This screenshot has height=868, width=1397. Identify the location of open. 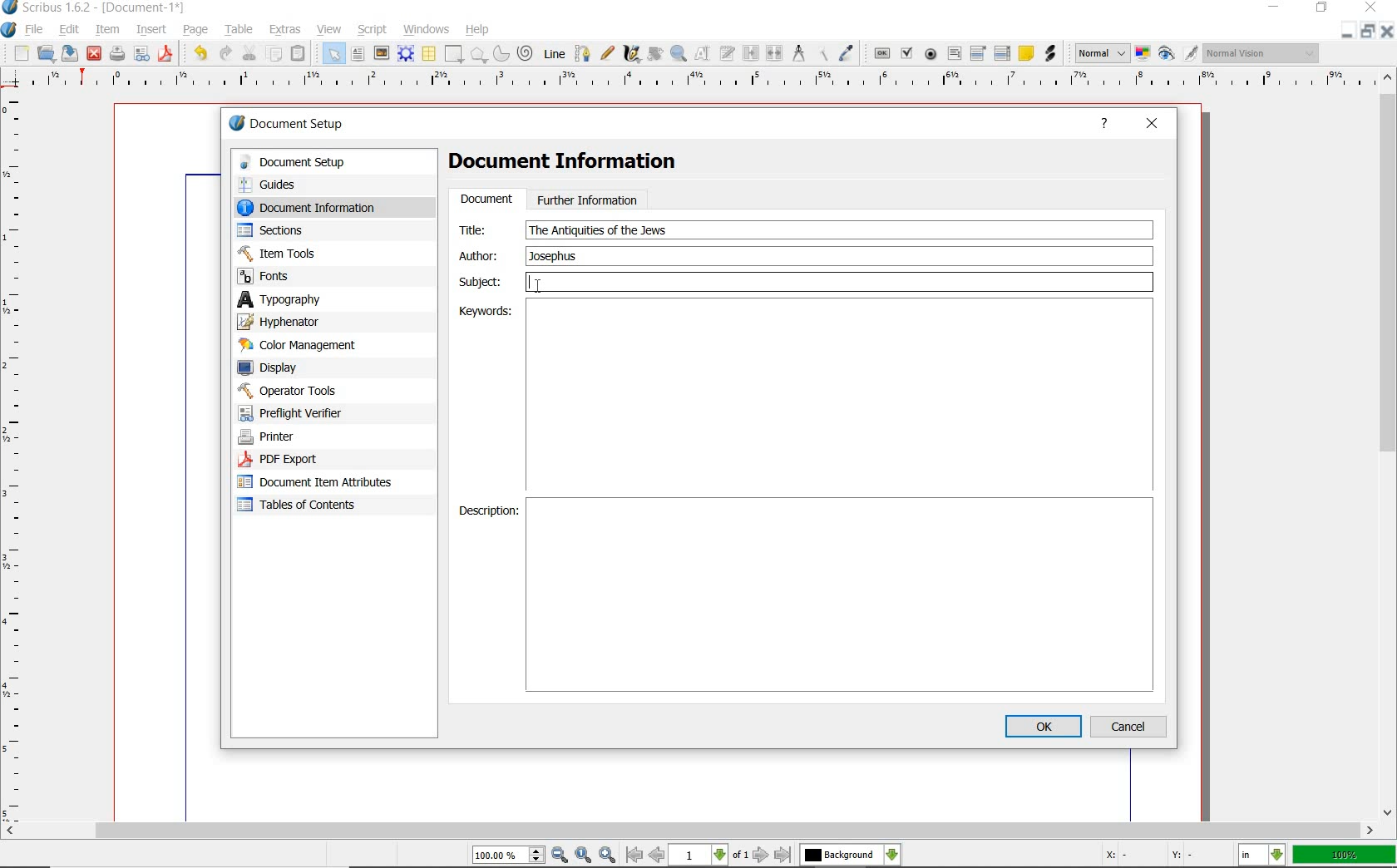
(47, 53).